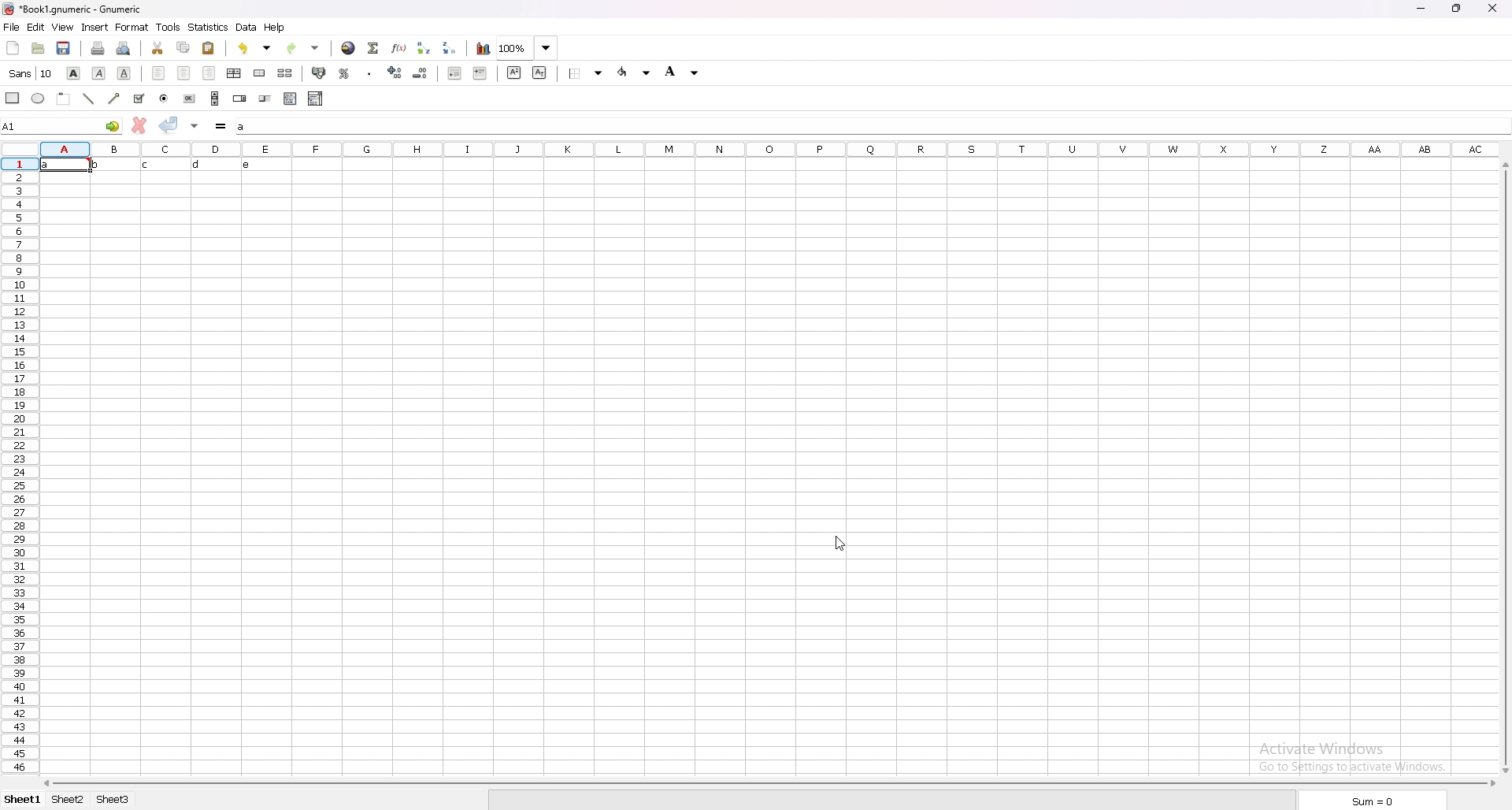 The height and width of the screenshot is (810, 1512). I want to click on italic, so click(98, 74).